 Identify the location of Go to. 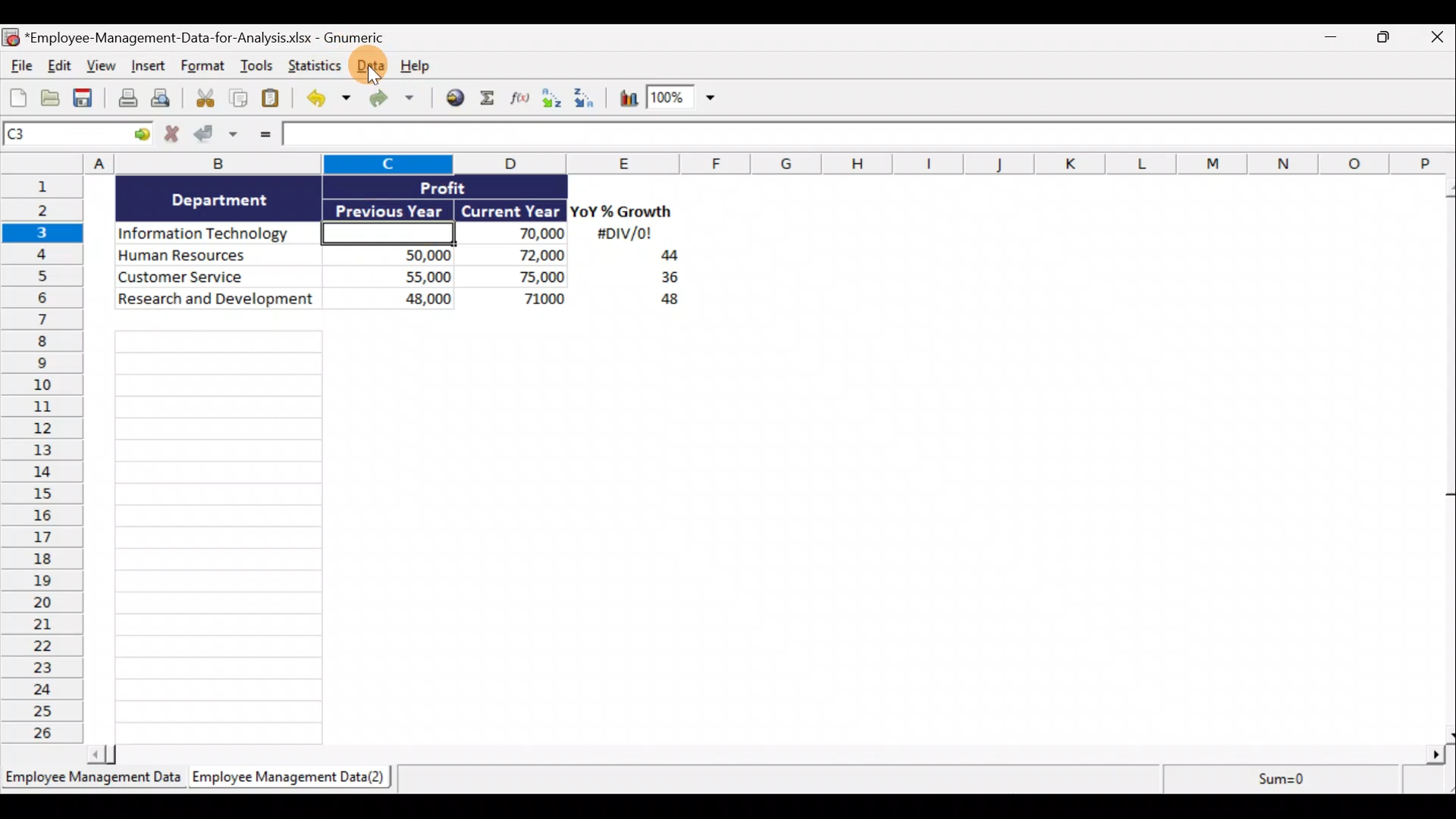
(142, 135).